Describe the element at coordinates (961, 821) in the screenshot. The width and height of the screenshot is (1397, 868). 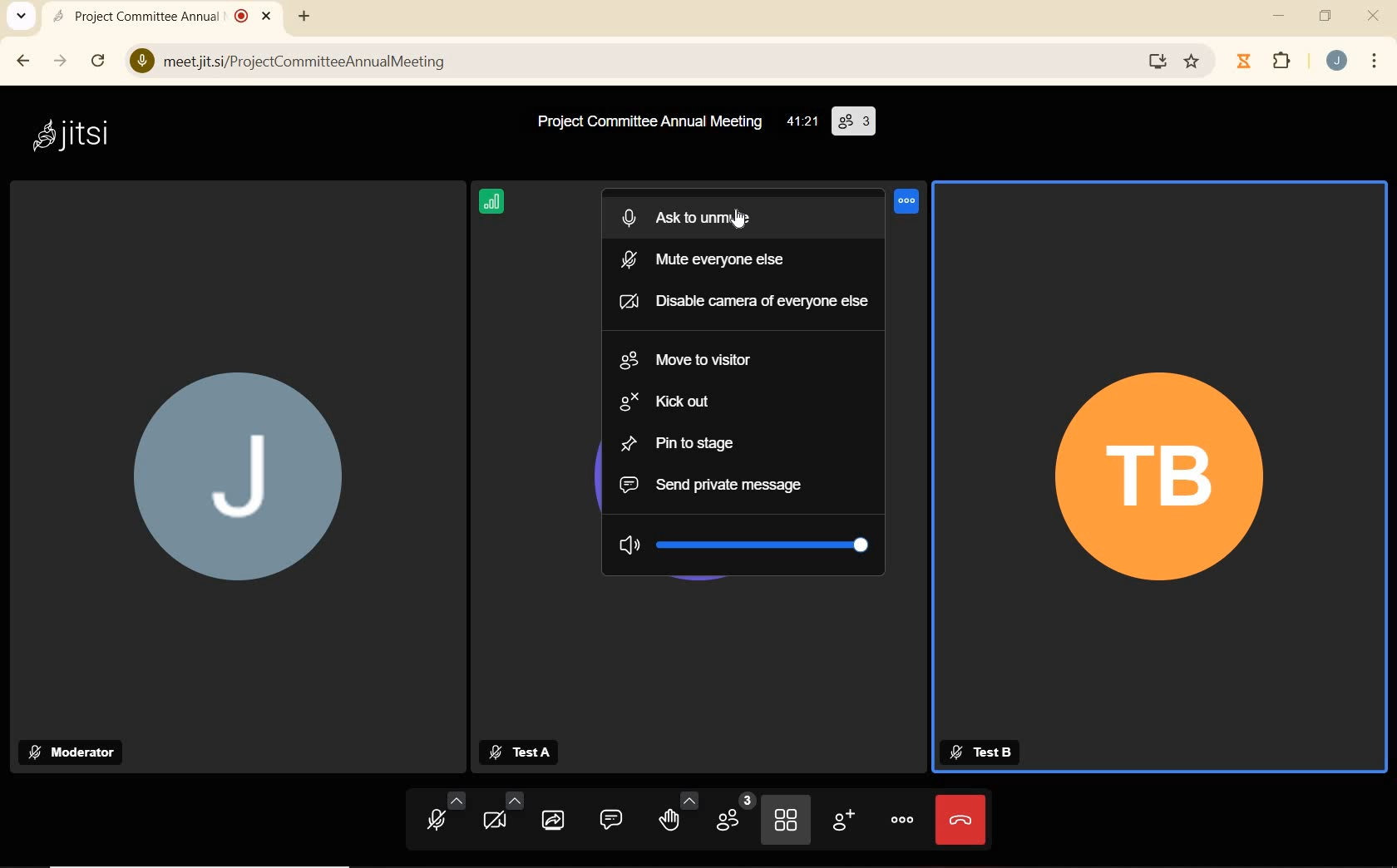
I see `End call` at that location.